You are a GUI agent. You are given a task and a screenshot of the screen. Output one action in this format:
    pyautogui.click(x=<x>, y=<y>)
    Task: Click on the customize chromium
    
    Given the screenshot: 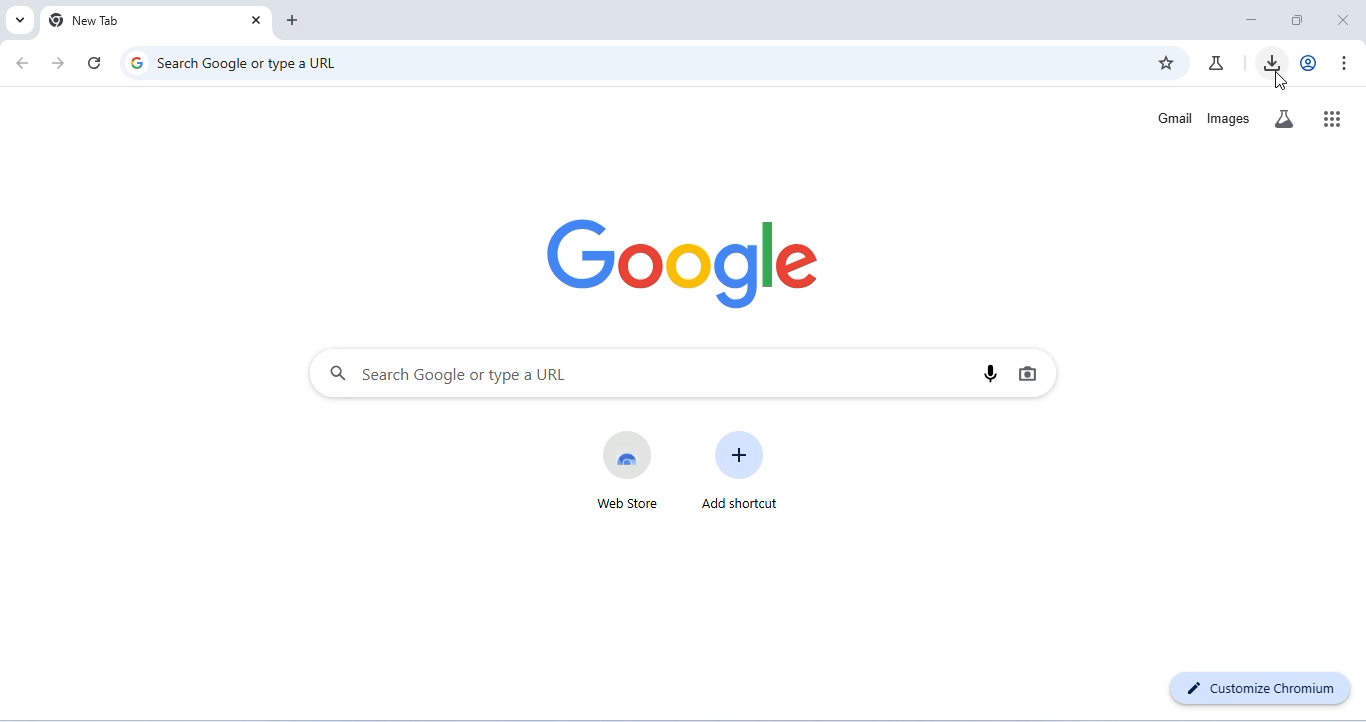 What is the action you would take?
    pyautogui.click(x=1257, y=689)
    